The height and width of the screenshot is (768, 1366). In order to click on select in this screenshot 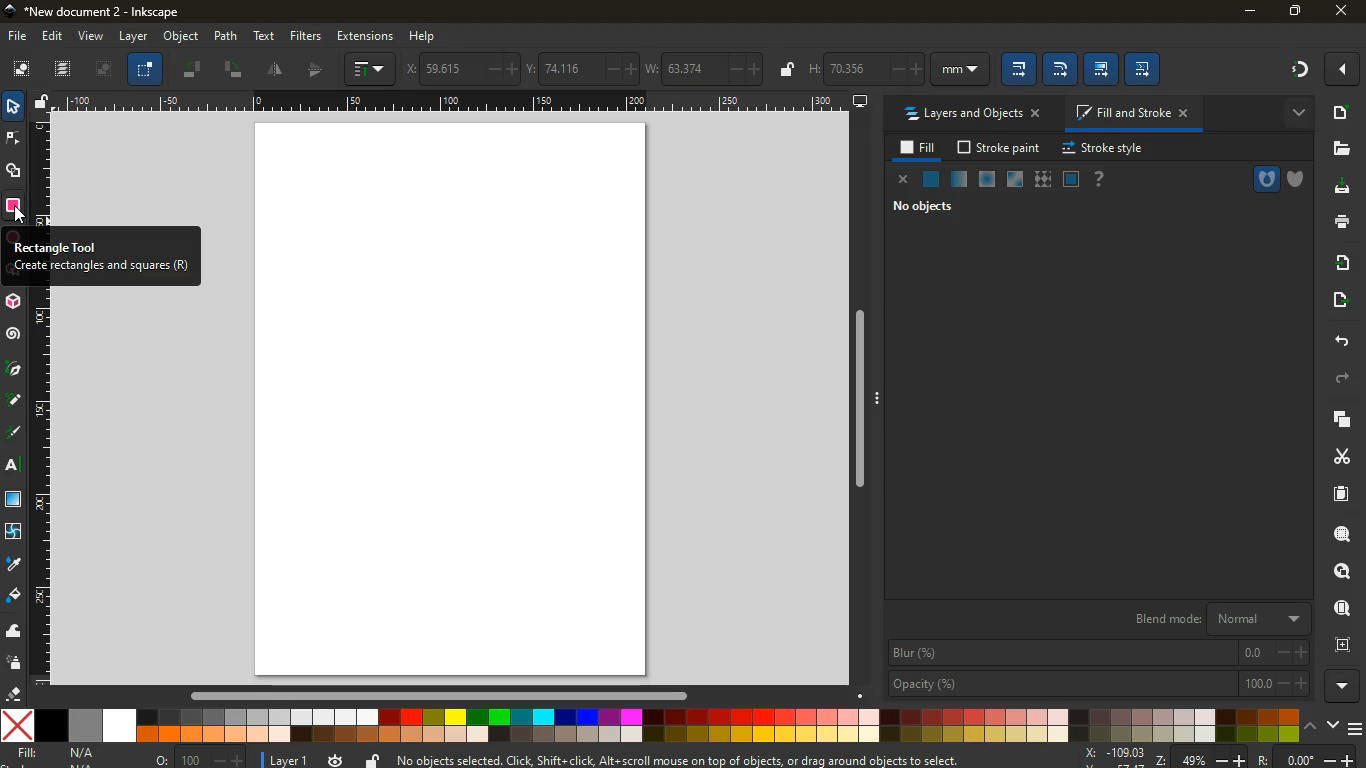, I will do `click(10, 108)`.